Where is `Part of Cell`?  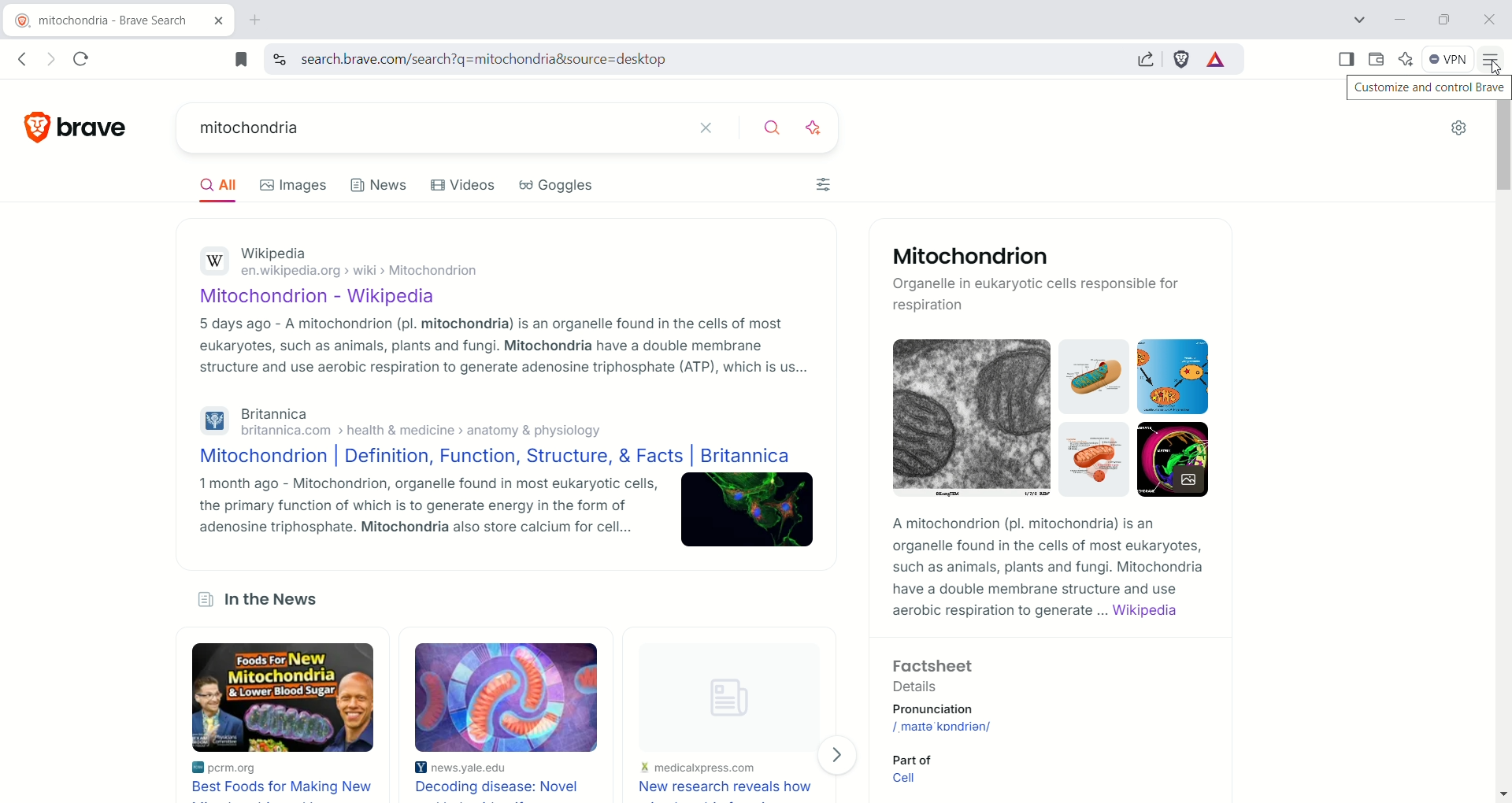
Part of Cell is located at coordinates (908, 775).